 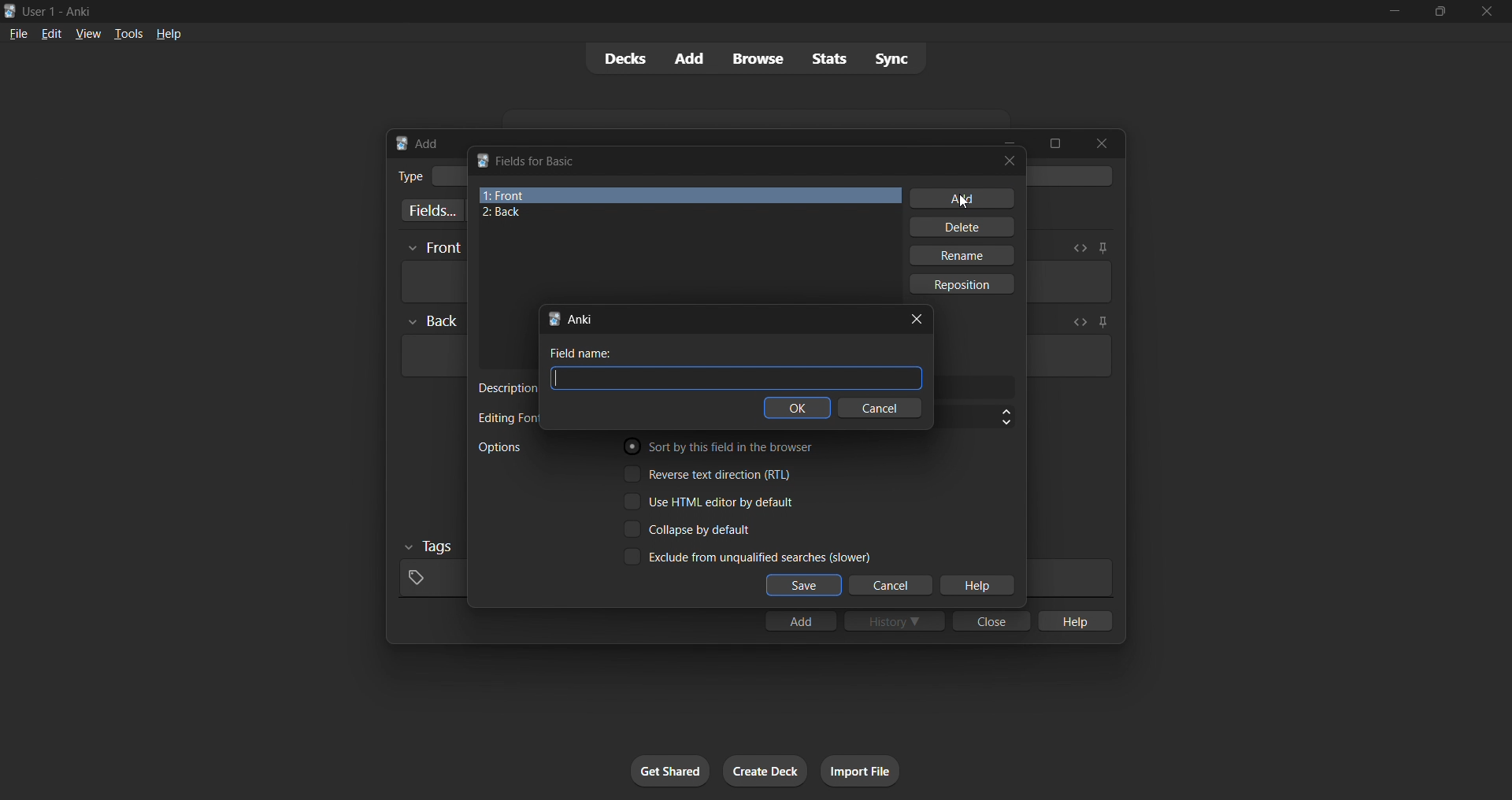 I want to click on close, so click(x=1010, y=161).